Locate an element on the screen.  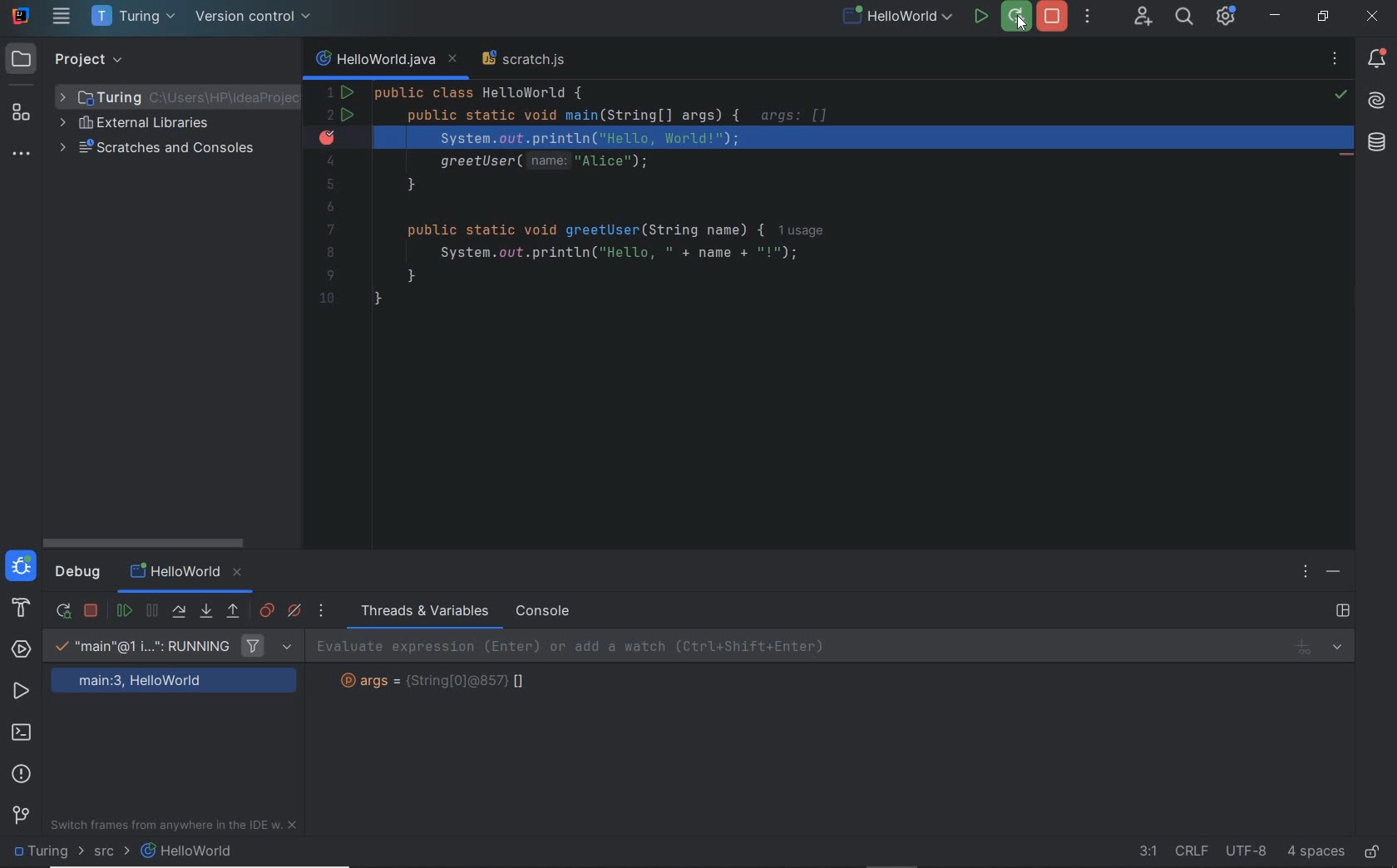
main is located at coordinates (138, 648).